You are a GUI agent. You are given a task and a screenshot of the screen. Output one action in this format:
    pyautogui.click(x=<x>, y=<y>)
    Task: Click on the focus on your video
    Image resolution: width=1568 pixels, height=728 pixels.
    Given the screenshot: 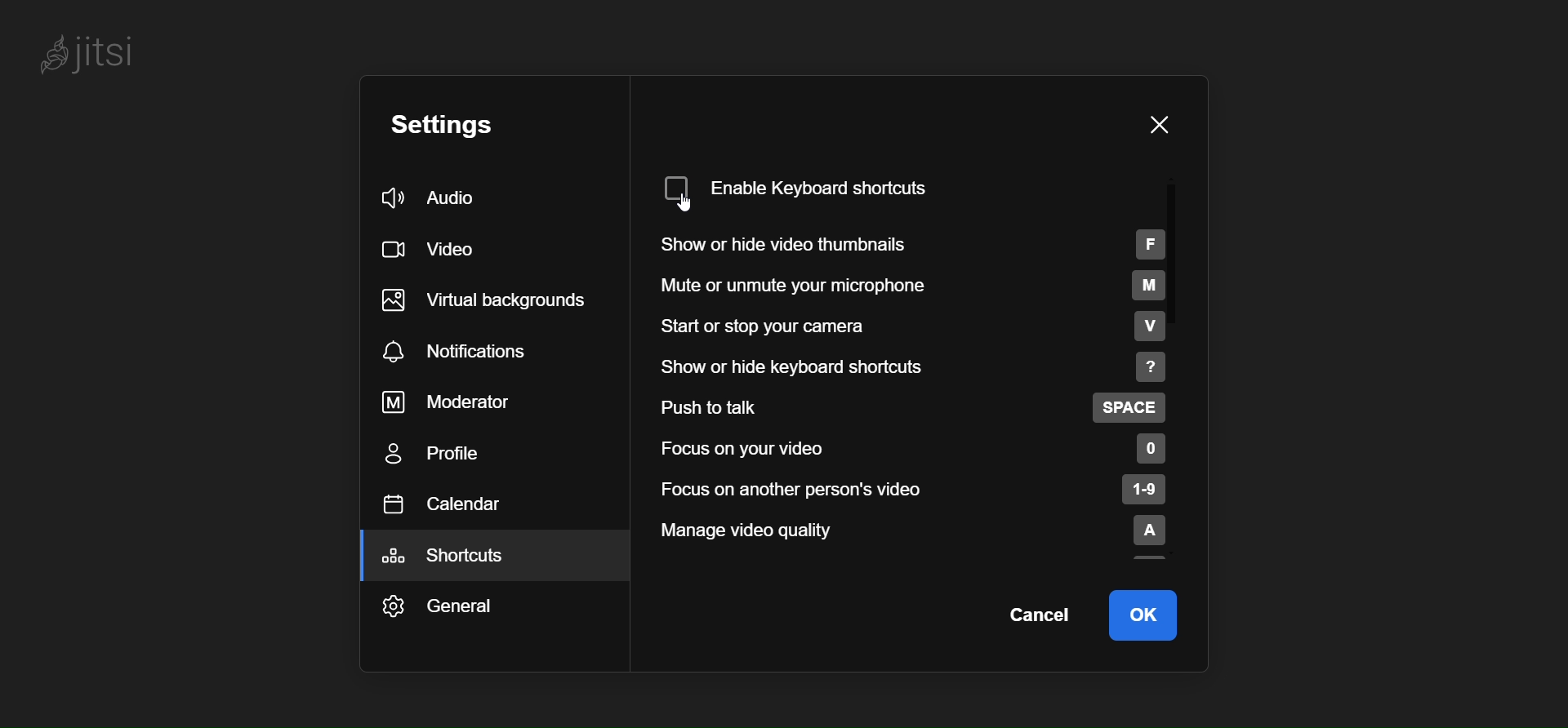 What is the action you would take?
    pyautogui.click(x=916, y=449)
    